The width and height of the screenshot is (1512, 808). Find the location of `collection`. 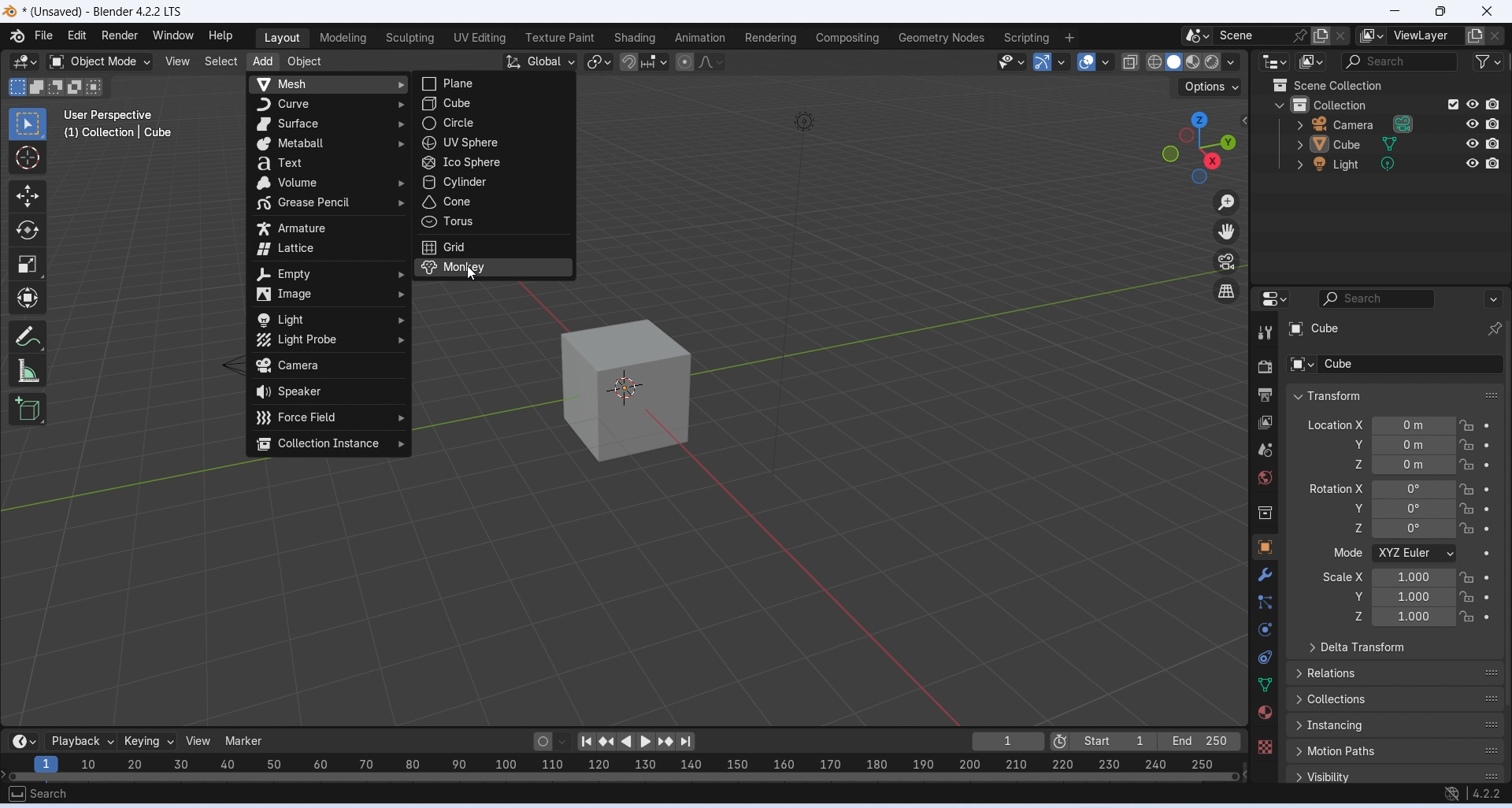

collection is located at coordinates (1353, 103).